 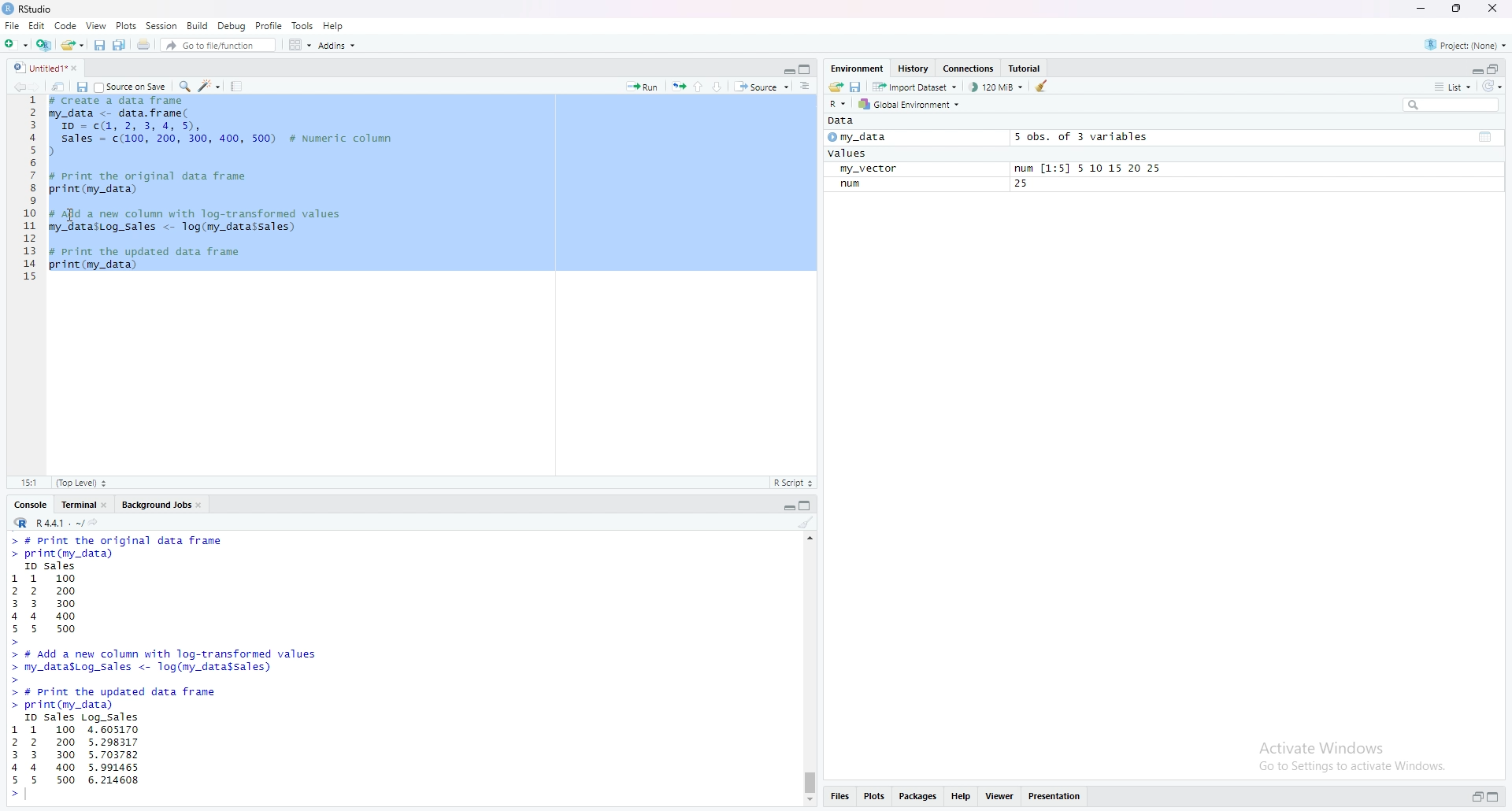 What do you see at coordinates (13, 87) in the screenshot?
I see `Go back to the previous source location` at bounding box center [13, 87].